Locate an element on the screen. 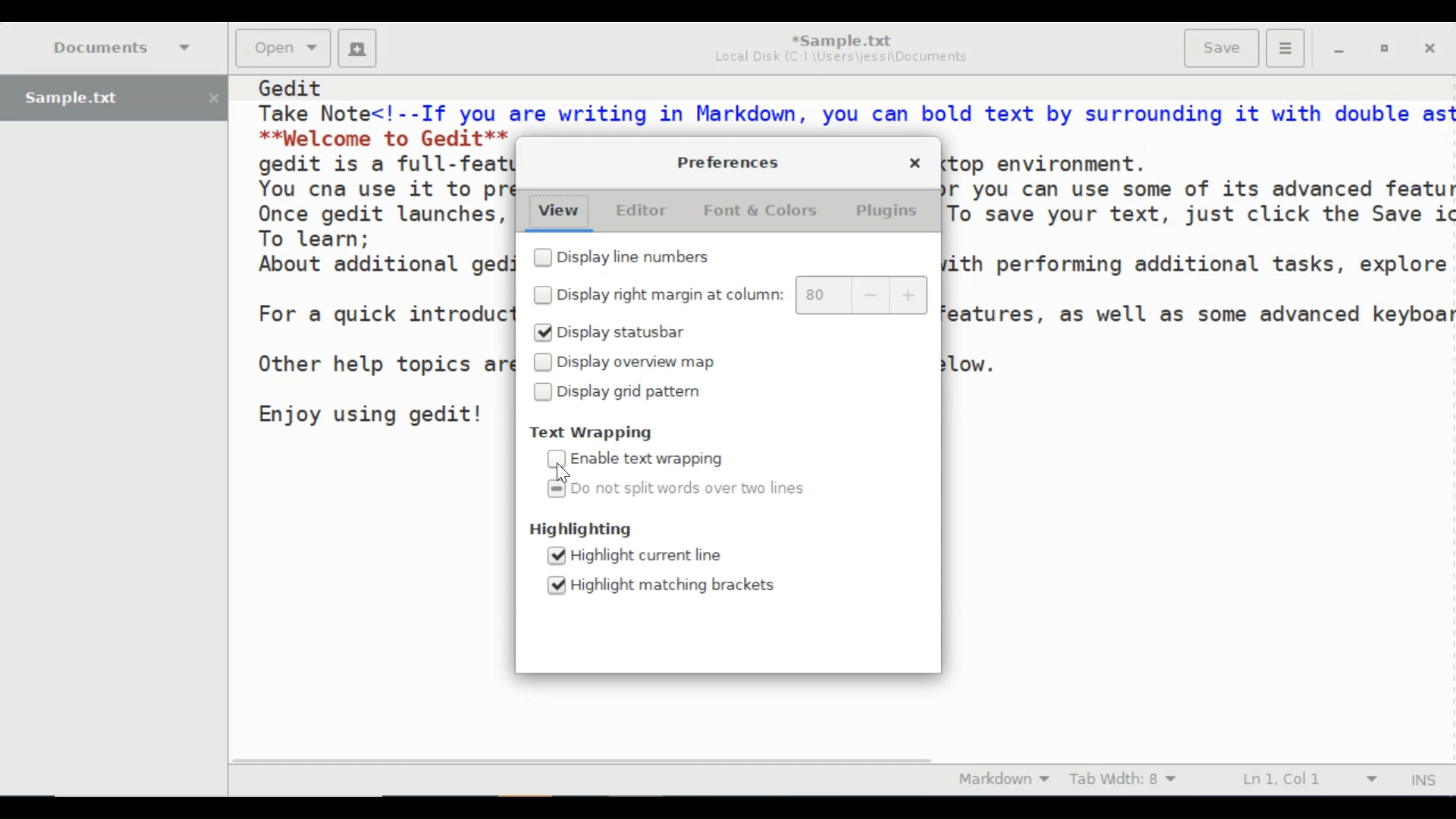  Font & Colors is located at coordinates (758, 212).